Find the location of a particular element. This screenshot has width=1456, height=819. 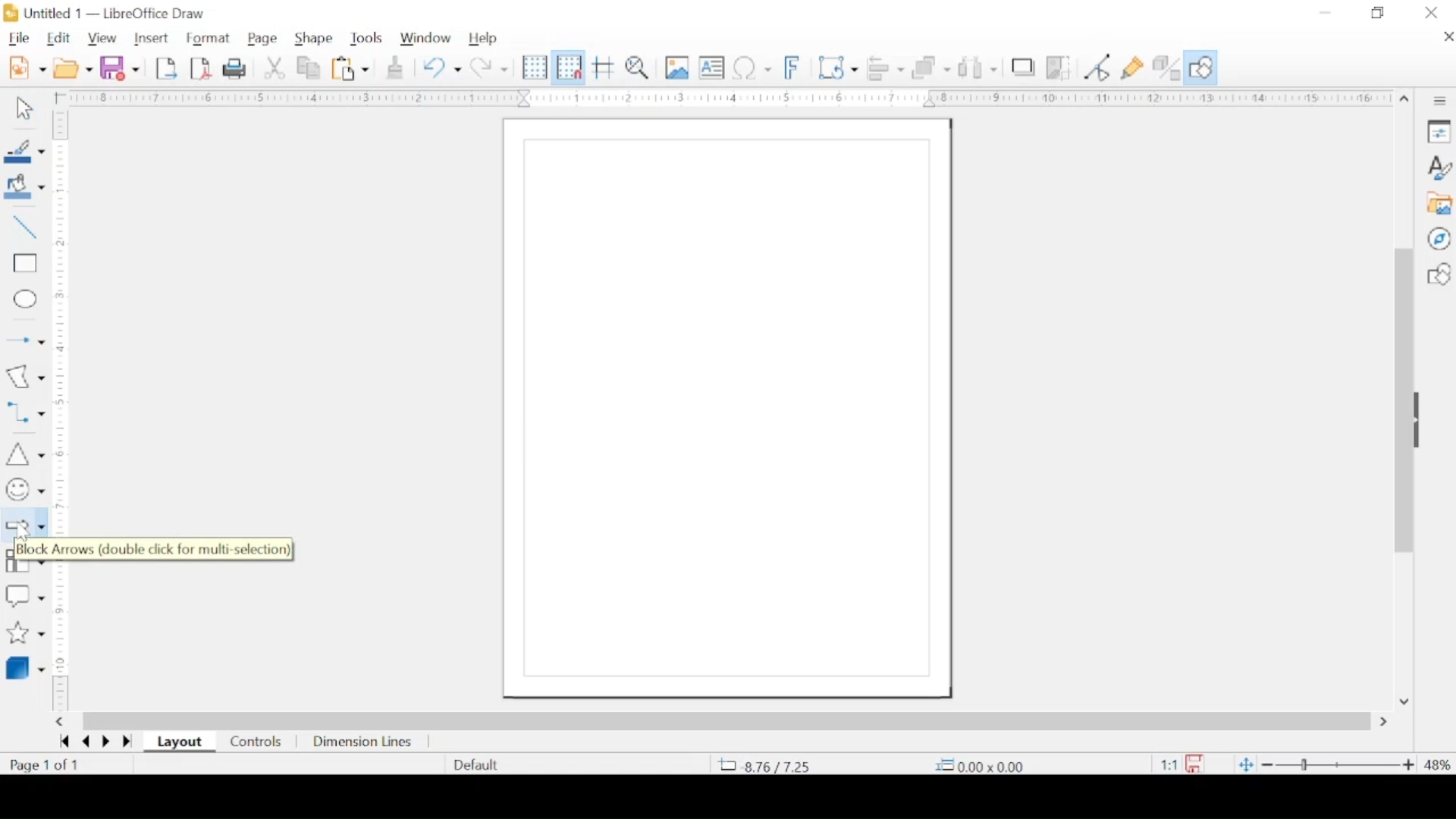

toggle point edit mode is located at coordinates (1097, 67).